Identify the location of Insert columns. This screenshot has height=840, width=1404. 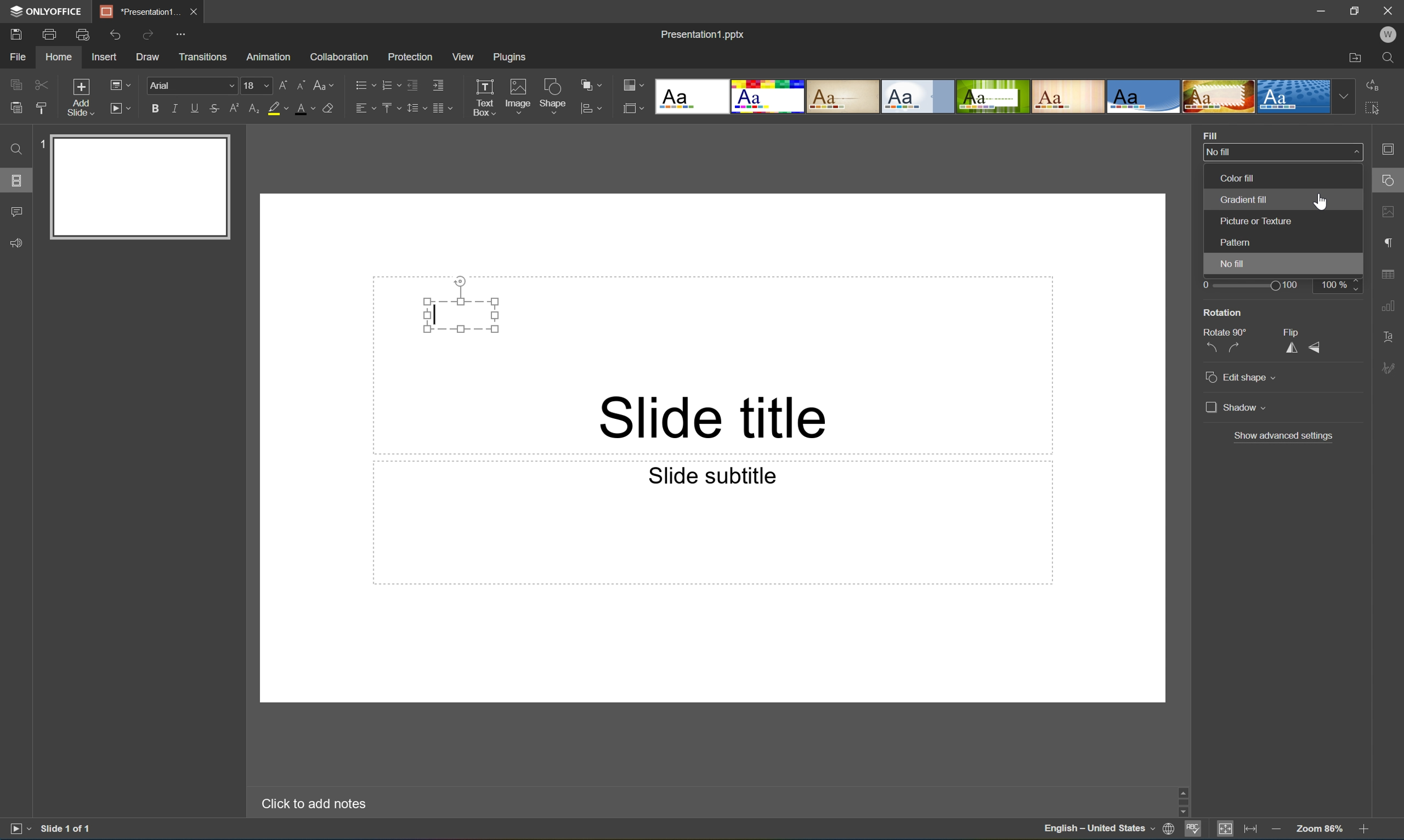
(442, 108).